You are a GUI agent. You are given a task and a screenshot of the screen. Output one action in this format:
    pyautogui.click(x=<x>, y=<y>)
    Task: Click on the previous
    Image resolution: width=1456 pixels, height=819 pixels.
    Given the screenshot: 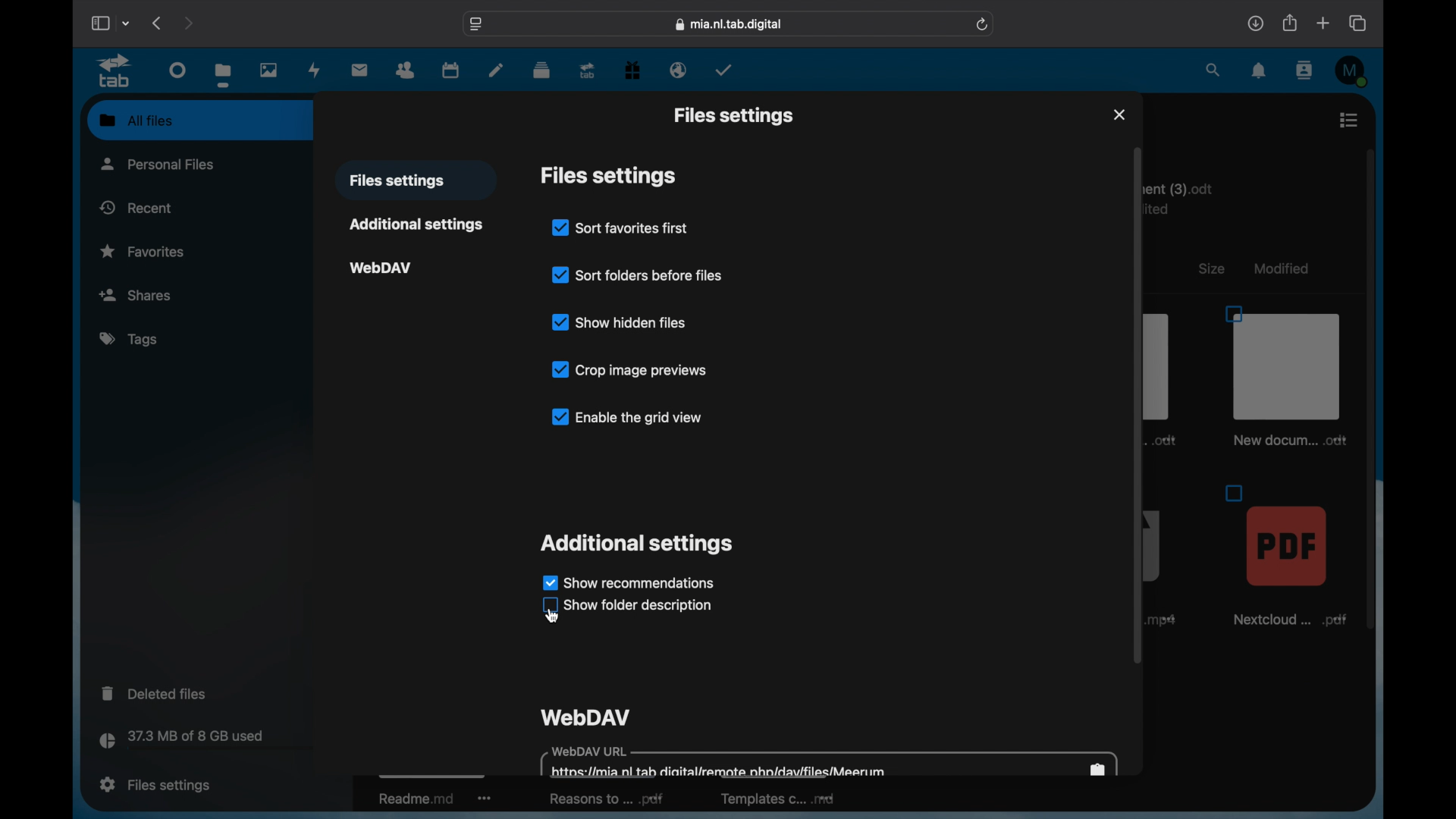 What is the action you would take?
    pyautogui.click(x=158, y=23)
    